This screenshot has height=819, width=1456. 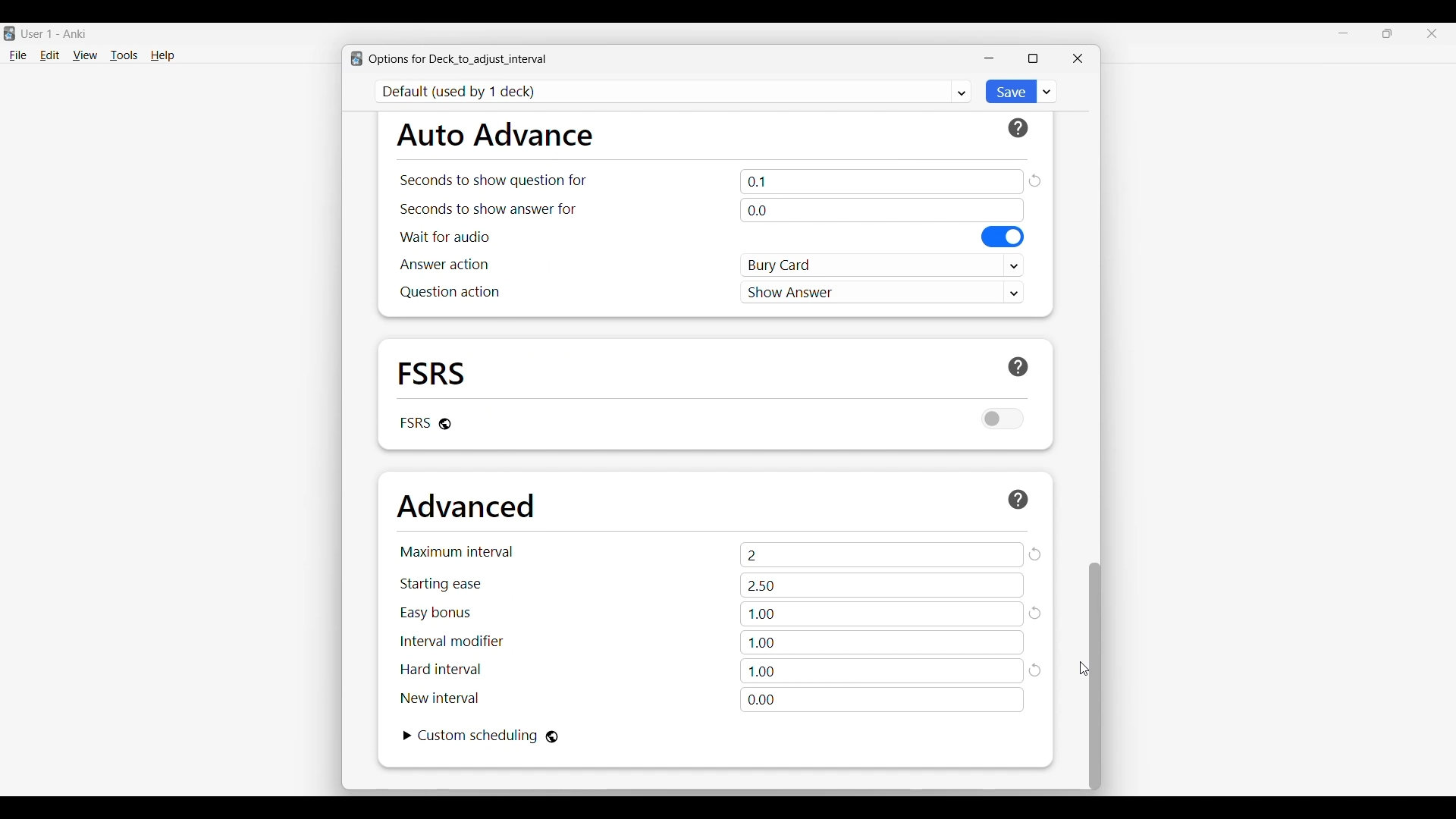 I want to click on FSRS, so click(x=432, y=372).